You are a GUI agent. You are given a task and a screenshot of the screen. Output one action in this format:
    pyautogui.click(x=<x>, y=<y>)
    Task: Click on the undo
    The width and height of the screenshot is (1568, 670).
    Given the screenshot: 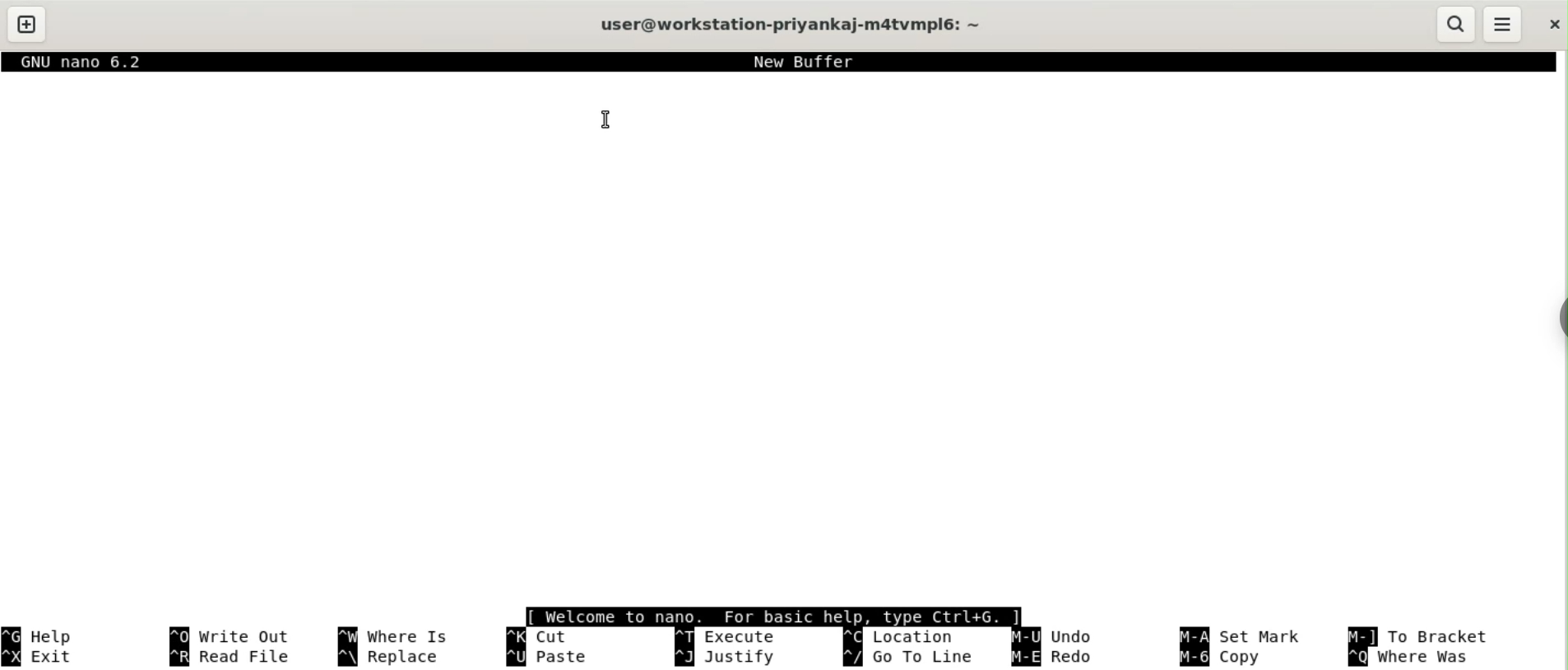 What is the action you would take?
    pyautogui.click(x=1054, y=636)
    